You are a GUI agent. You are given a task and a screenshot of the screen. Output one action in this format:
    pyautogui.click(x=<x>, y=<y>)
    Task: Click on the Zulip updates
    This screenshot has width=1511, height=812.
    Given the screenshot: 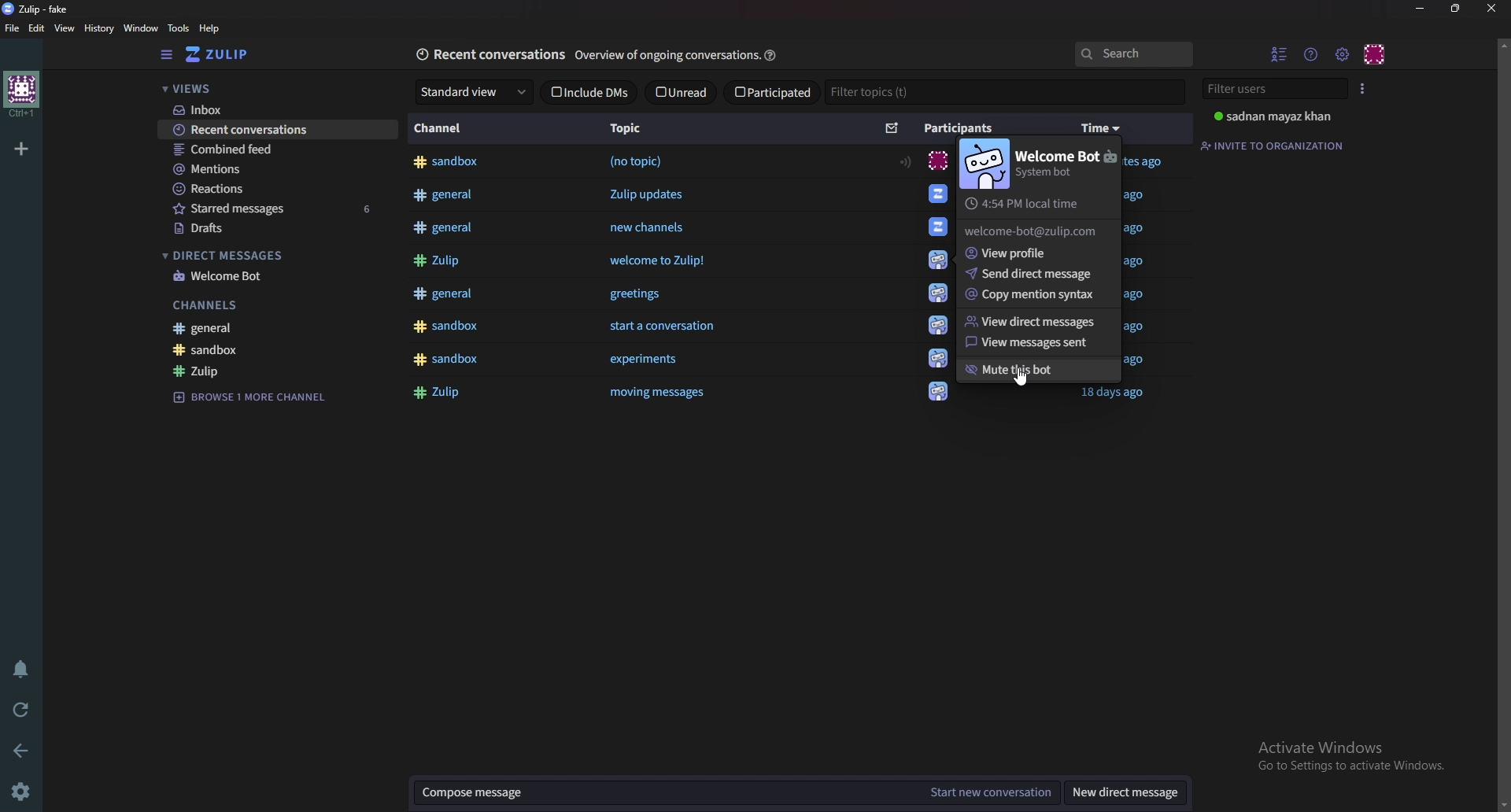 What is the action you would take?
    pyautogui.click(x=645, y=196)
    